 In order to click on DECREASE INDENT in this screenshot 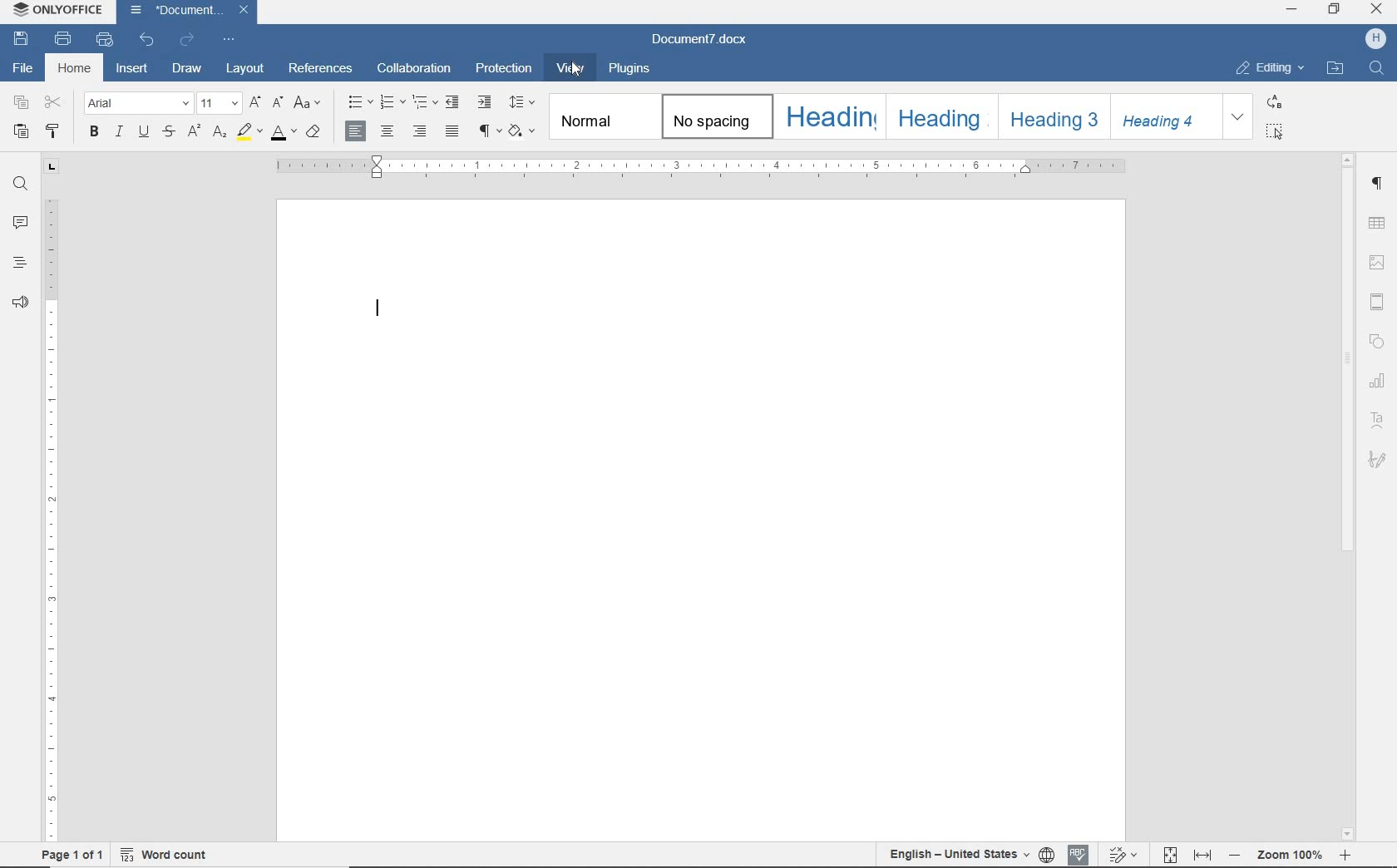, I will do `click(452, 102)`.